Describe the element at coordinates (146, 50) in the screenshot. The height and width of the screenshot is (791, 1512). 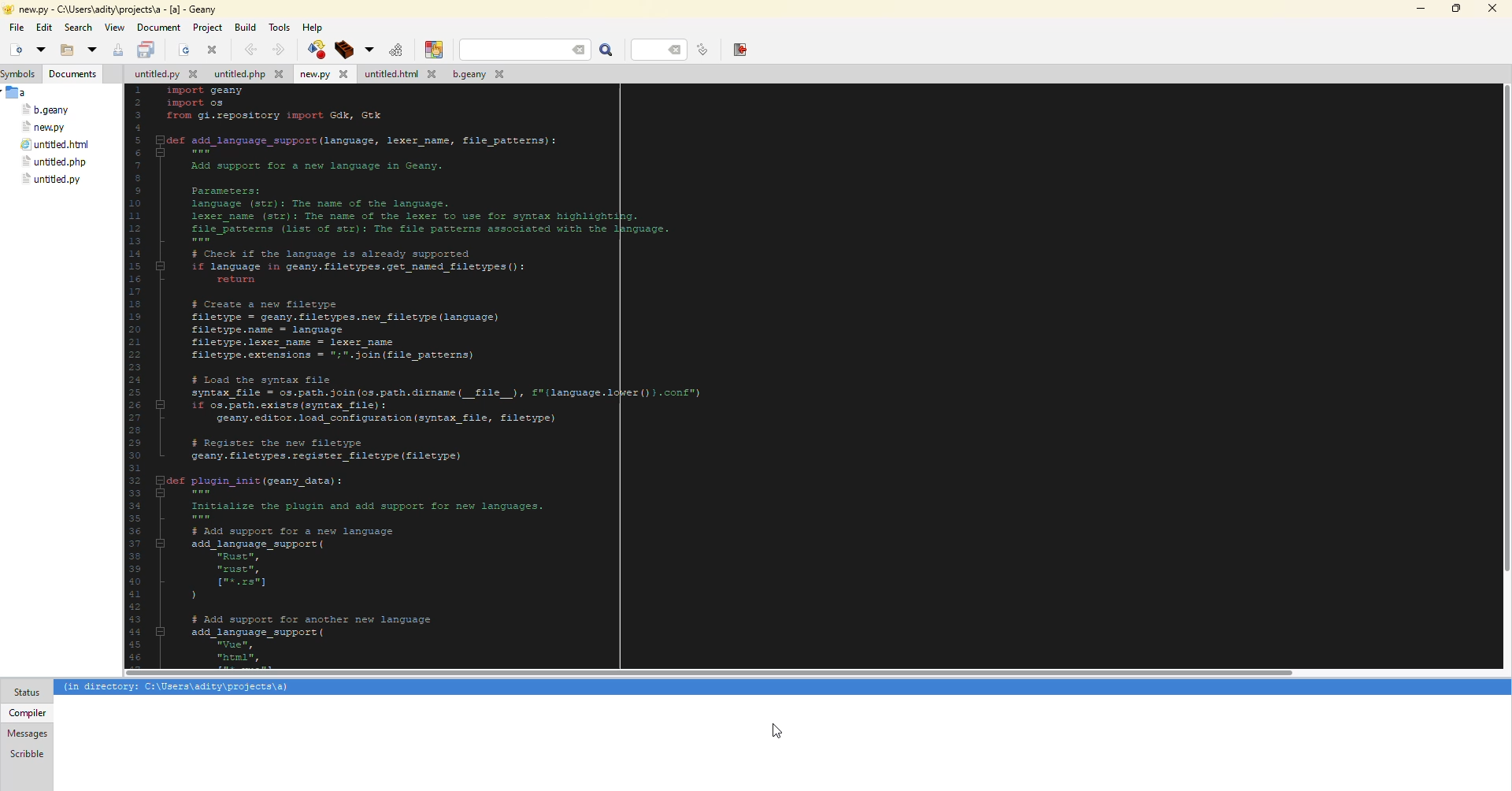
I see `save` at that location.